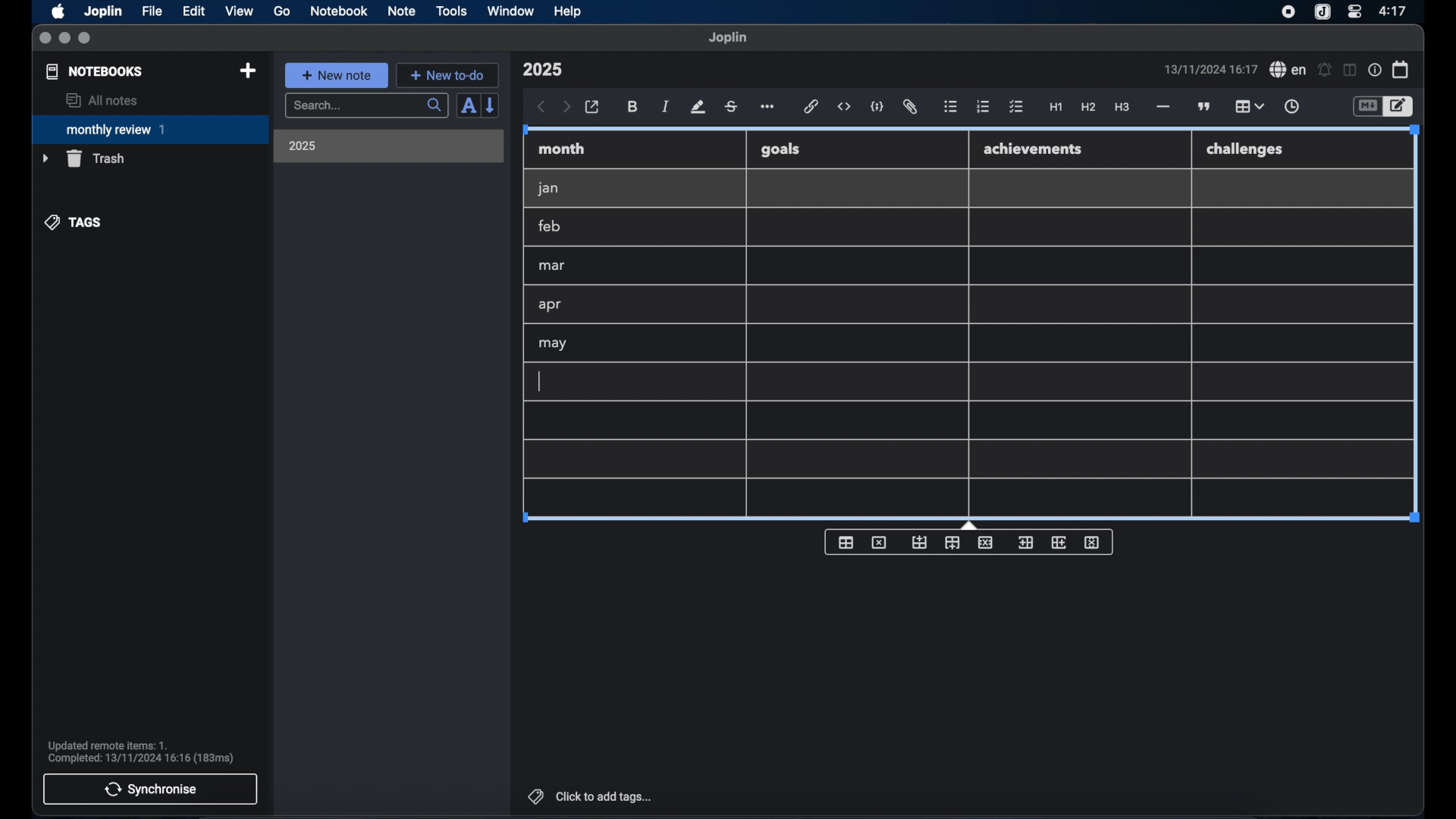 This screenshot has width=1456, height=819. Describe the element at coordinates (698, 107) in the screenshot. I see `highlight` at that location.